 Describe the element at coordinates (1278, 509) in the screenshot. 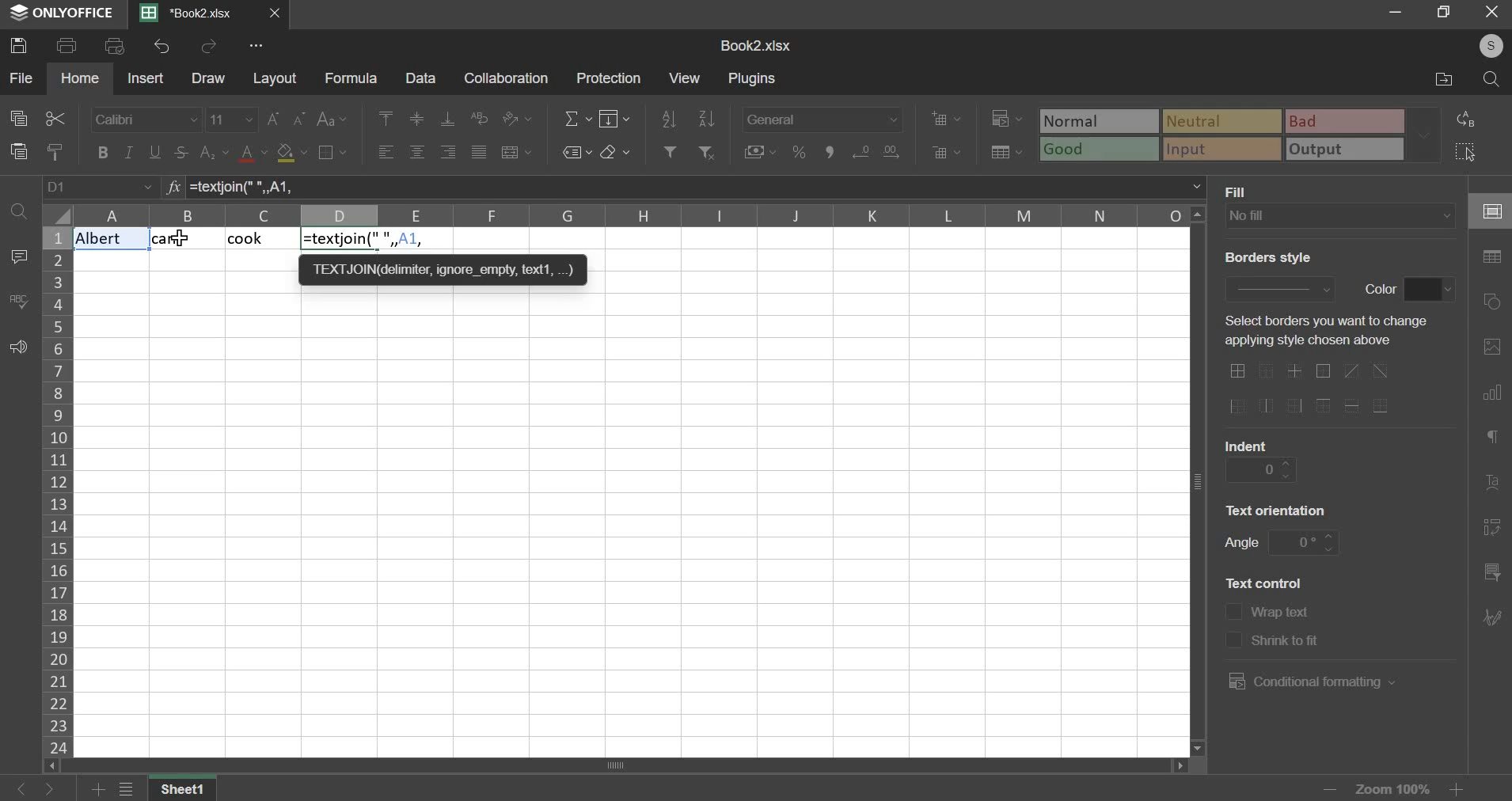

I see `text` at that location.